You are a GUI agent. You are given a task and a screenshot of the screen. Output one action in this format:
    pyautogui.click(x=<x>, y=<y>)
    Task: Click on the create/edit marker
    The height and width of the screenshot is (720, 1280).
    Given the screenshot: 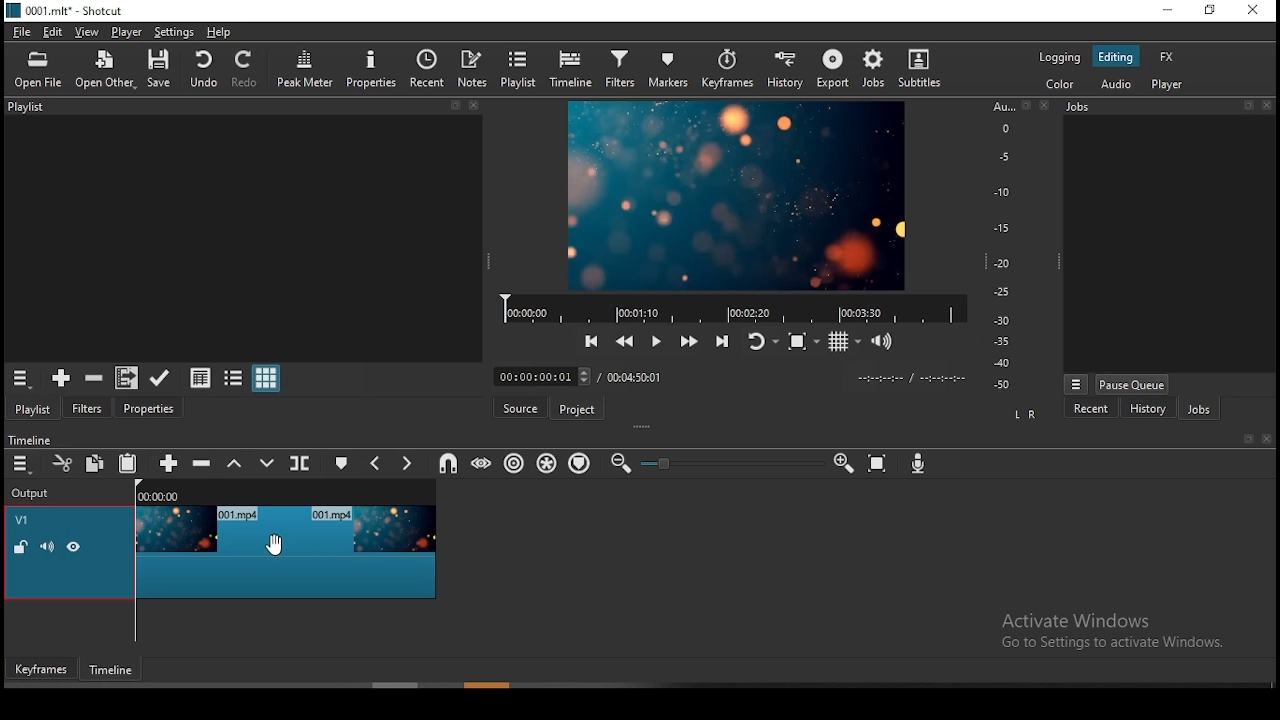 What is the action you would take?
    pyautogui.click(x=344, y=463)
    